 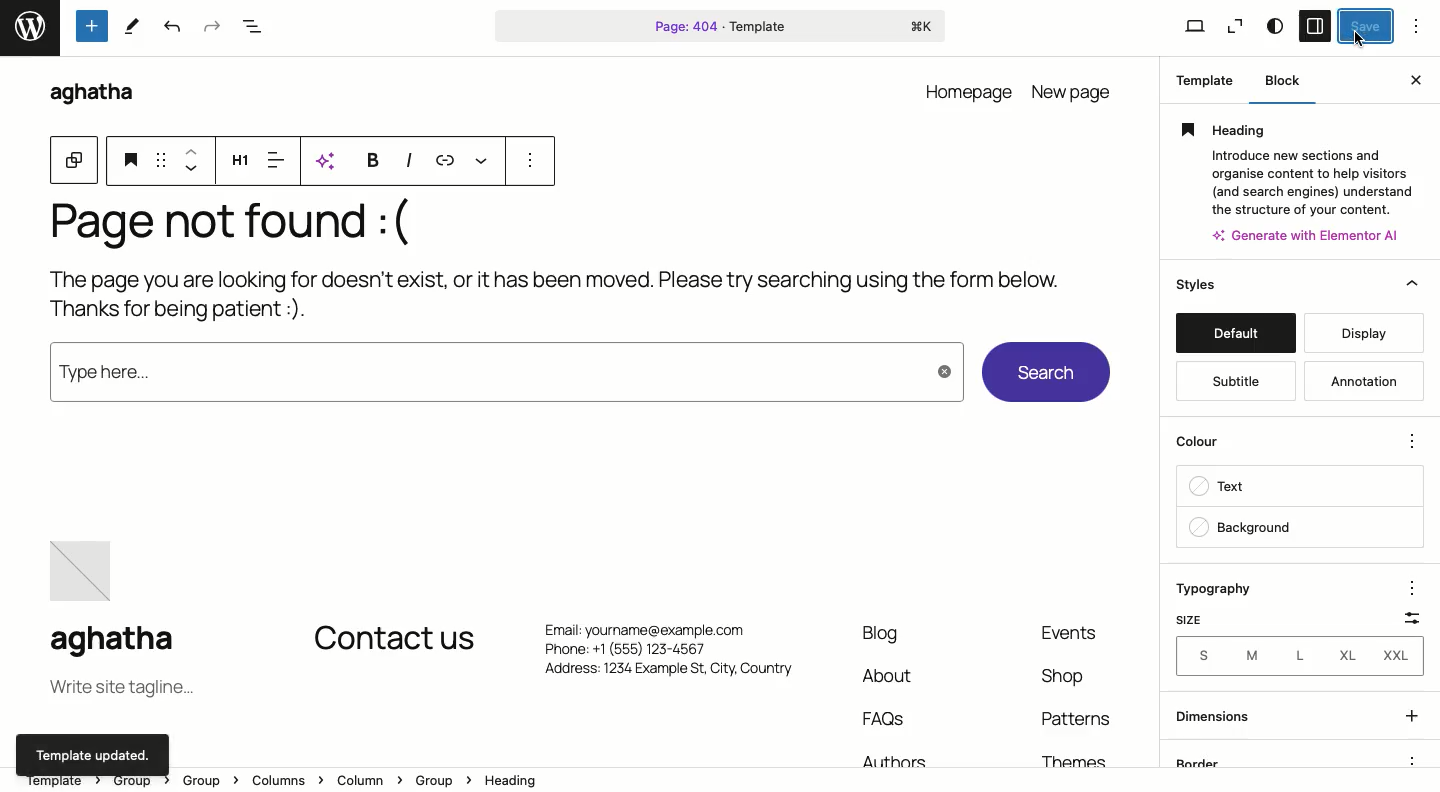 I want to click on Text, so click(x=422, y=224).